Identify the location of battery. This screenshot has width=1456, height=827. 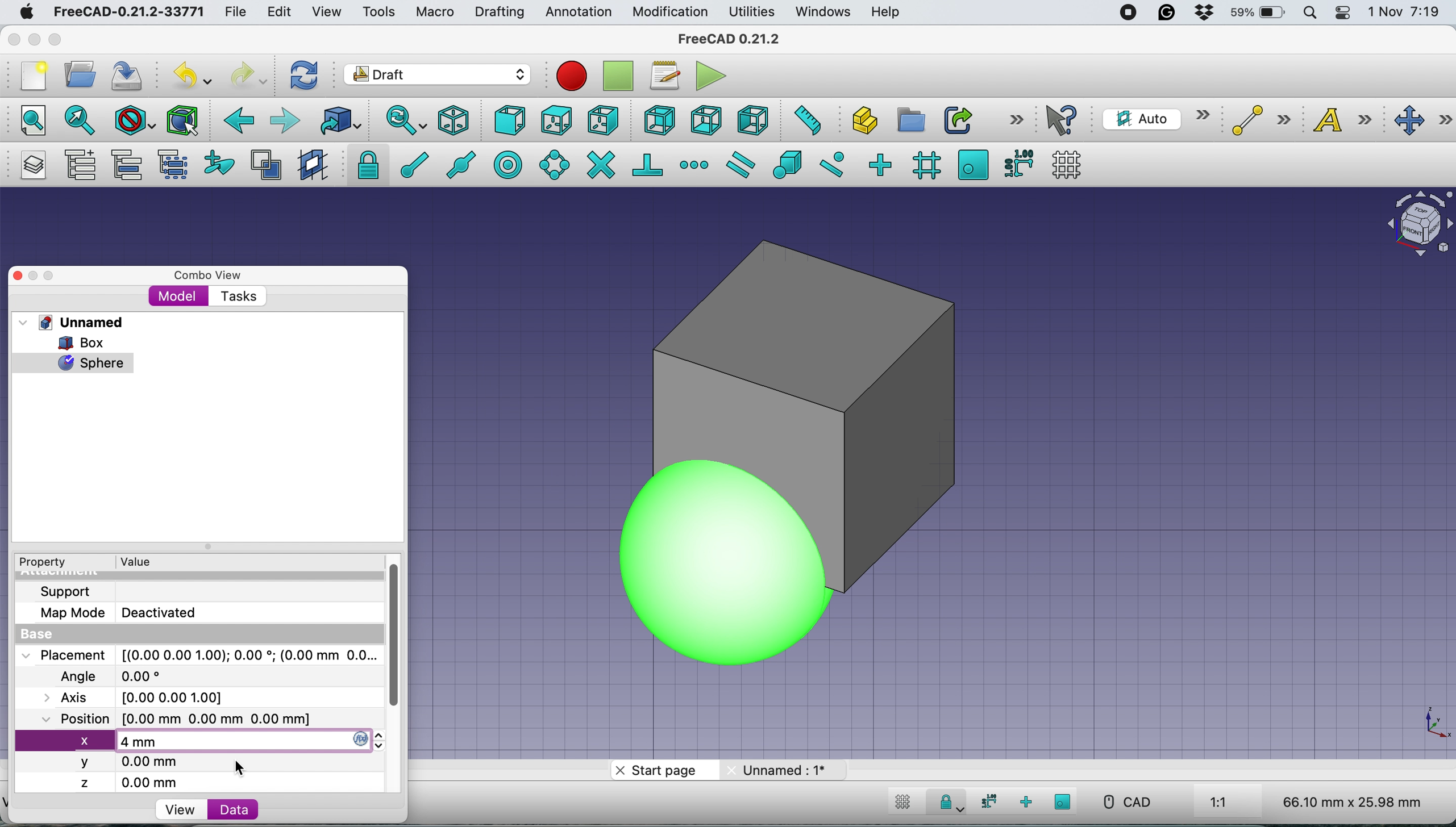
(1254, 14).